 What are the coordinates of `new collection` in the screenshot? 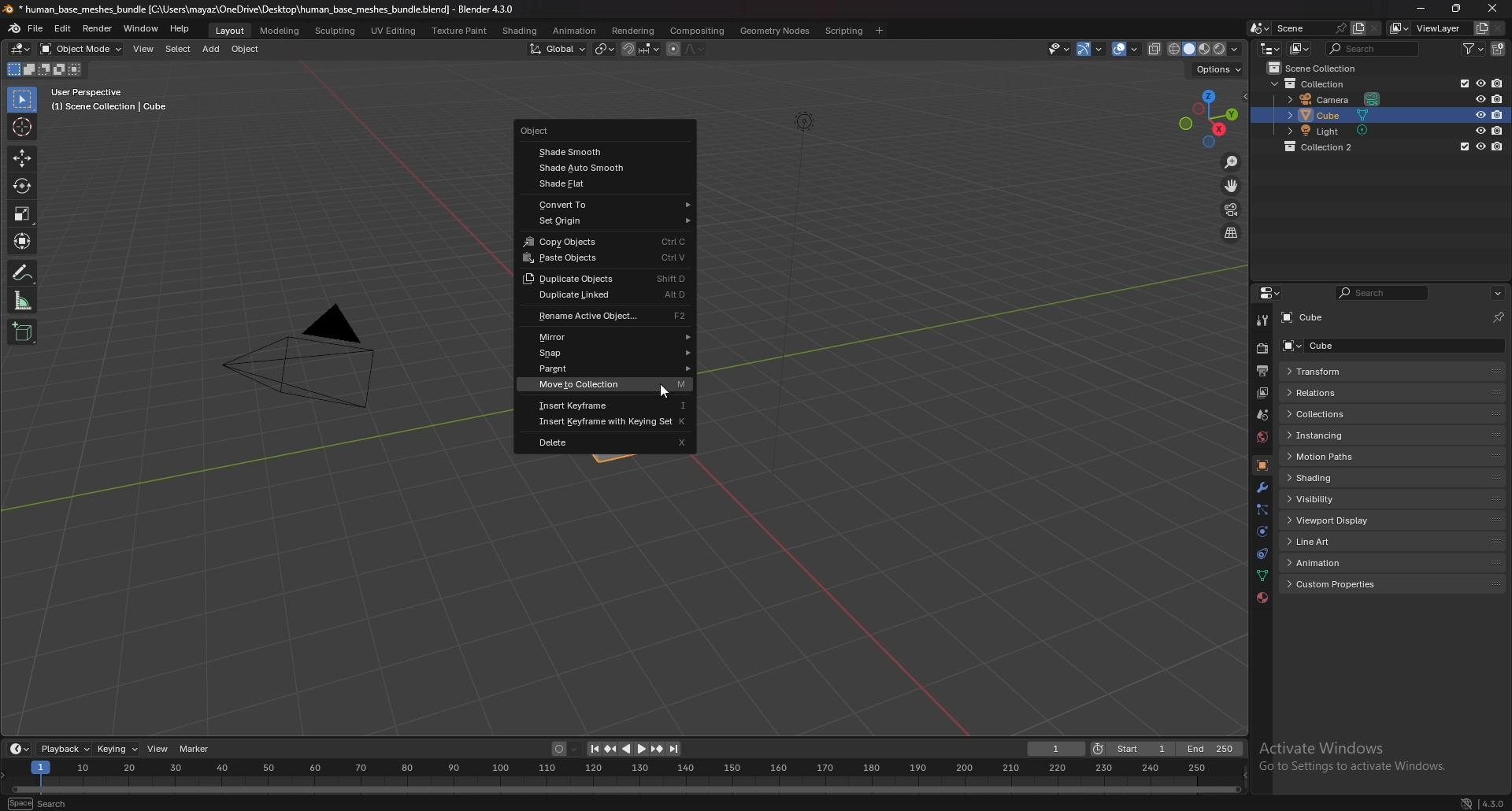 It's located at (1500, 48).